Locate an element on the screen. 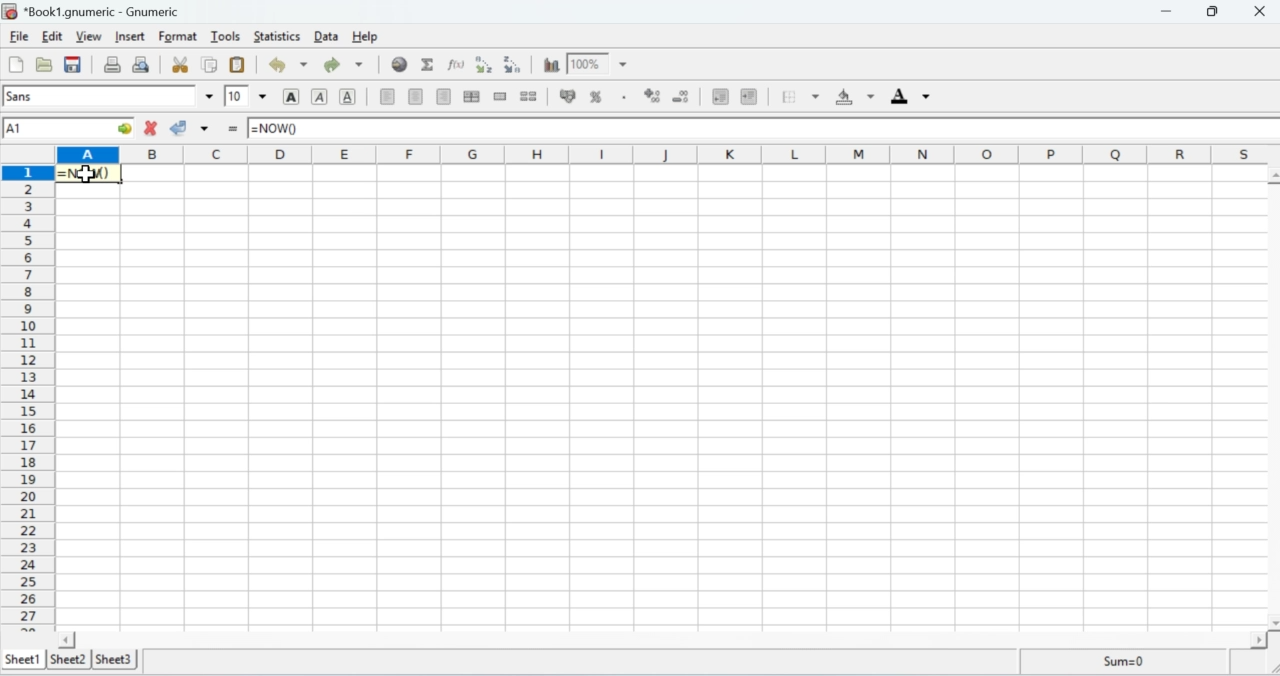 Image resolution: width=1280 pixels, height=676 pixels. Cell name A1 is located at coordinates (49, 128).